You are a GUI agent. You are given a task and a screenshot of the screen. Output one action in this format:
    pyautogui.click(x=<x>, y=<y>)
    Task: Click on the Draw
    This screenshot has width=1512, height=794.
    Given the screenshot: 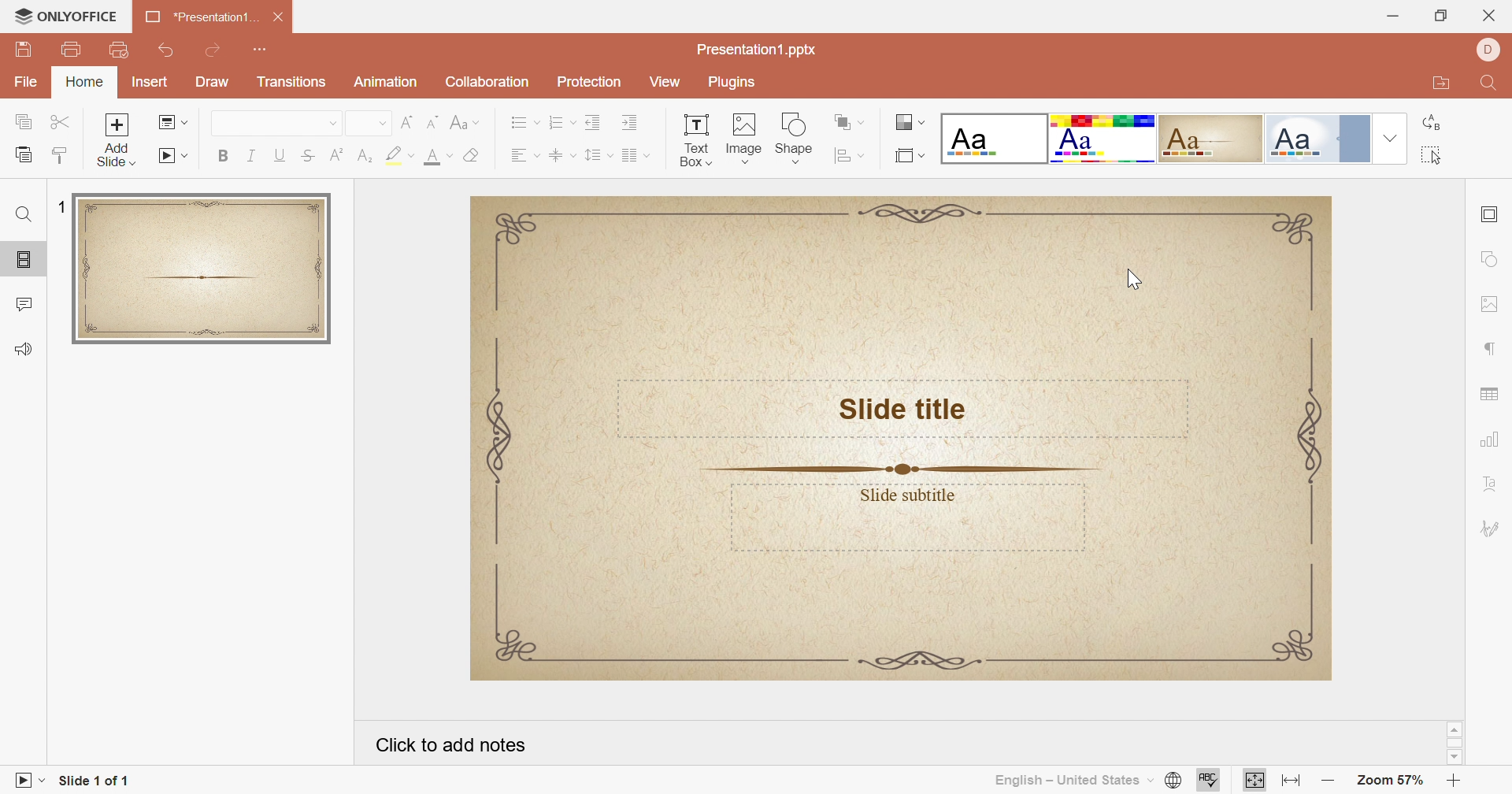 What is the action you would take?
    pyautogui.click(x=213, y=80)
    